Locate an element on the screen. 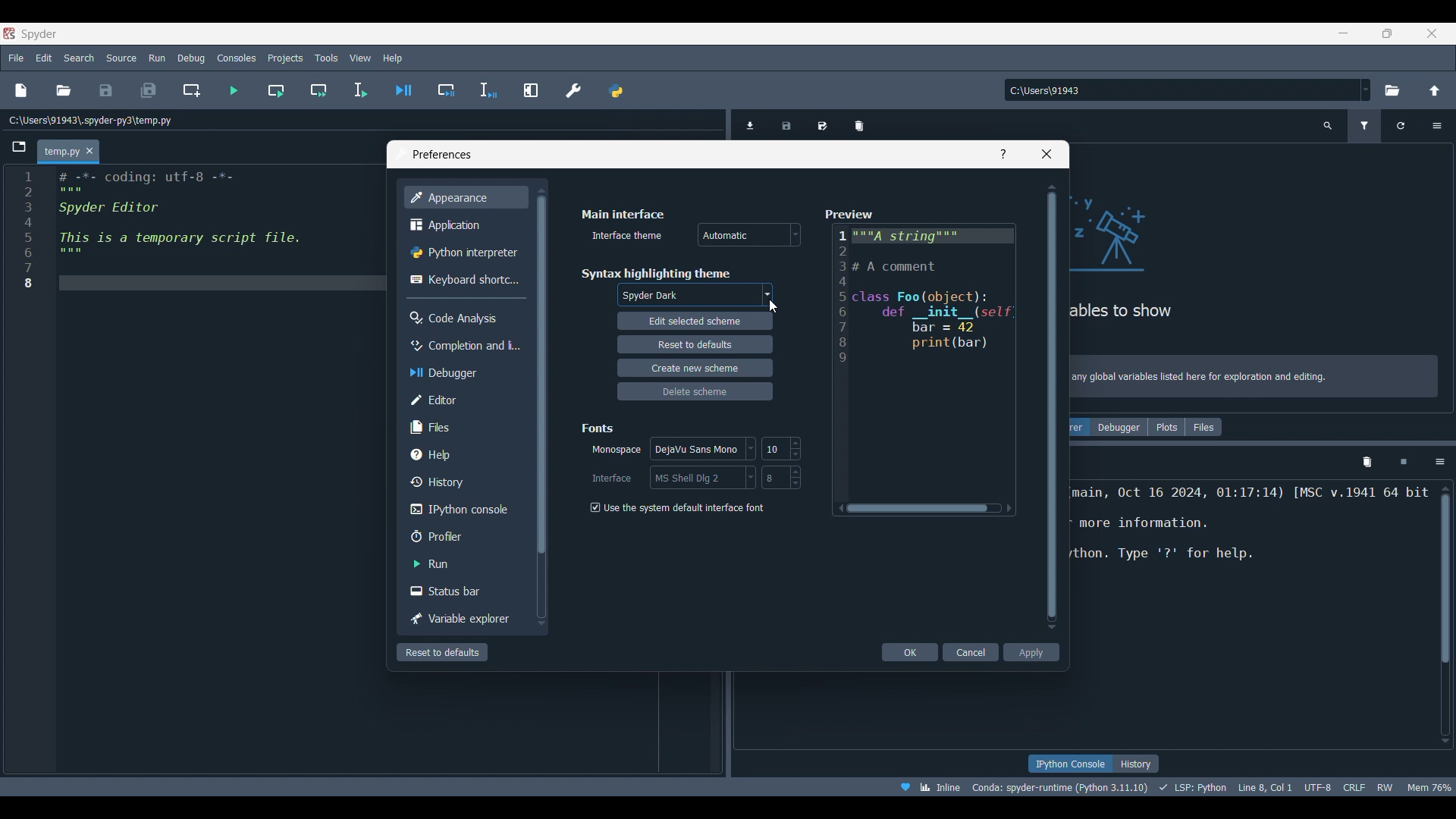  Save all files is located at coordinates (149, 90).